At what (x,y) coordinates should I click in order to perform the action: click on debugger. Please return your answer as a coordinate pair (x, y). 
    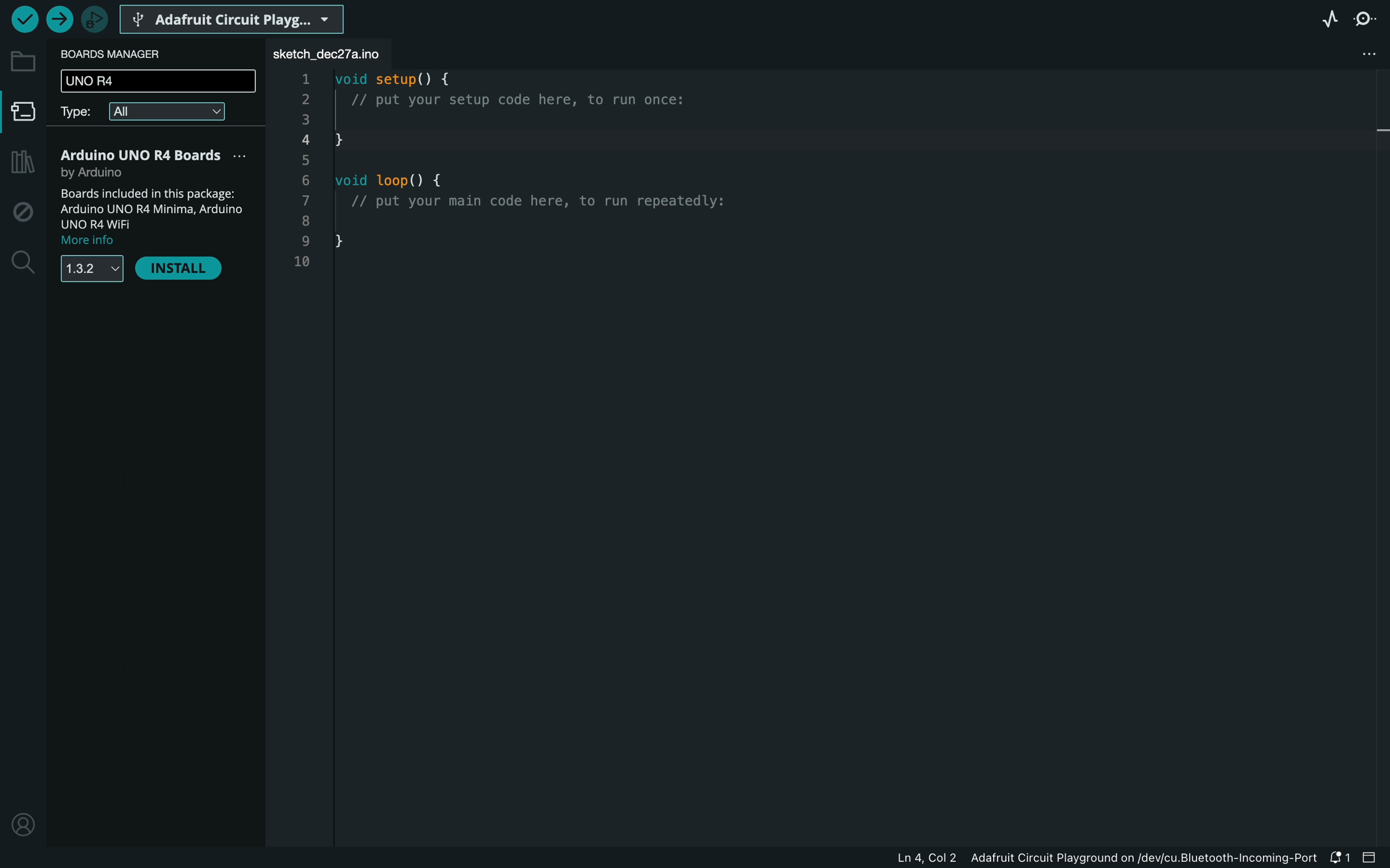
    Looking at the image, I should click on (96, 18).